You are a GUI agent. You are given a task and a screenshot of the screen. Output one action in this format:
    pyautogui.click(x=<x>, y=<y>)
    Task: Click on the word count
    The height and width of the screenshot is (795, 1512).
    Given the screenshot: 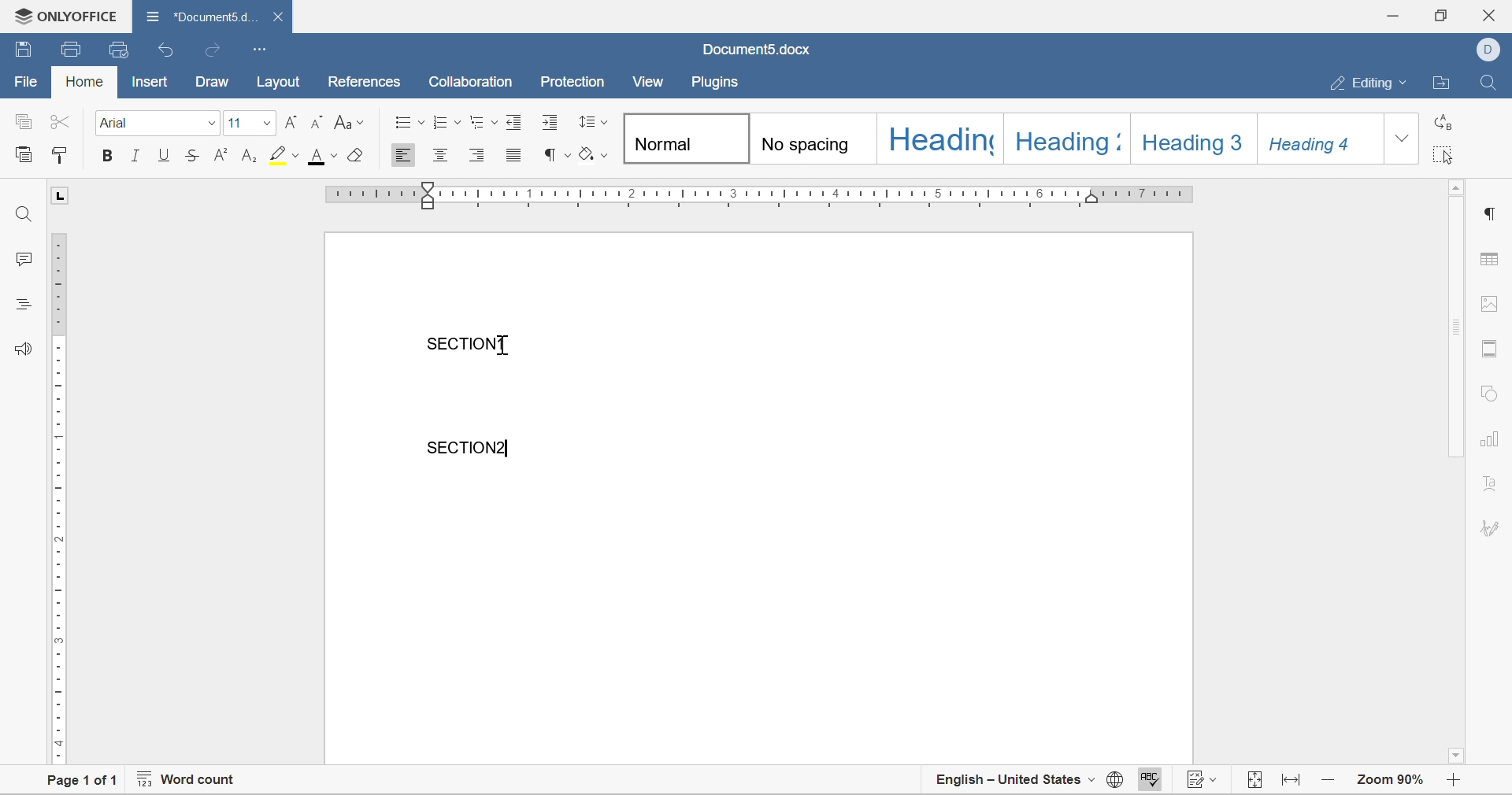 What is the action you would take?
    pyautogui.click(x=185, y=782)
    